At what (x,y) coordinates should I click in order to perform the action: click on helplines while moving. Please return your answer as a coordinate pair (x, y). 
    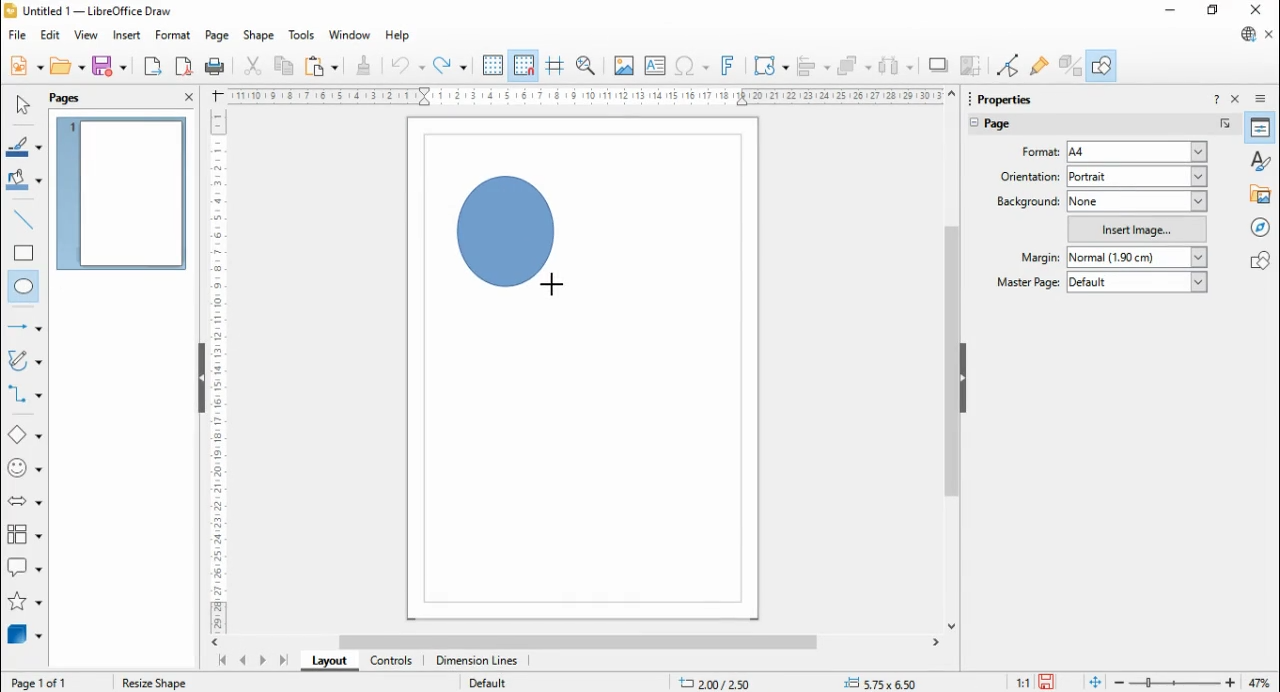
    Looking at the image, I should click on (555, 66).